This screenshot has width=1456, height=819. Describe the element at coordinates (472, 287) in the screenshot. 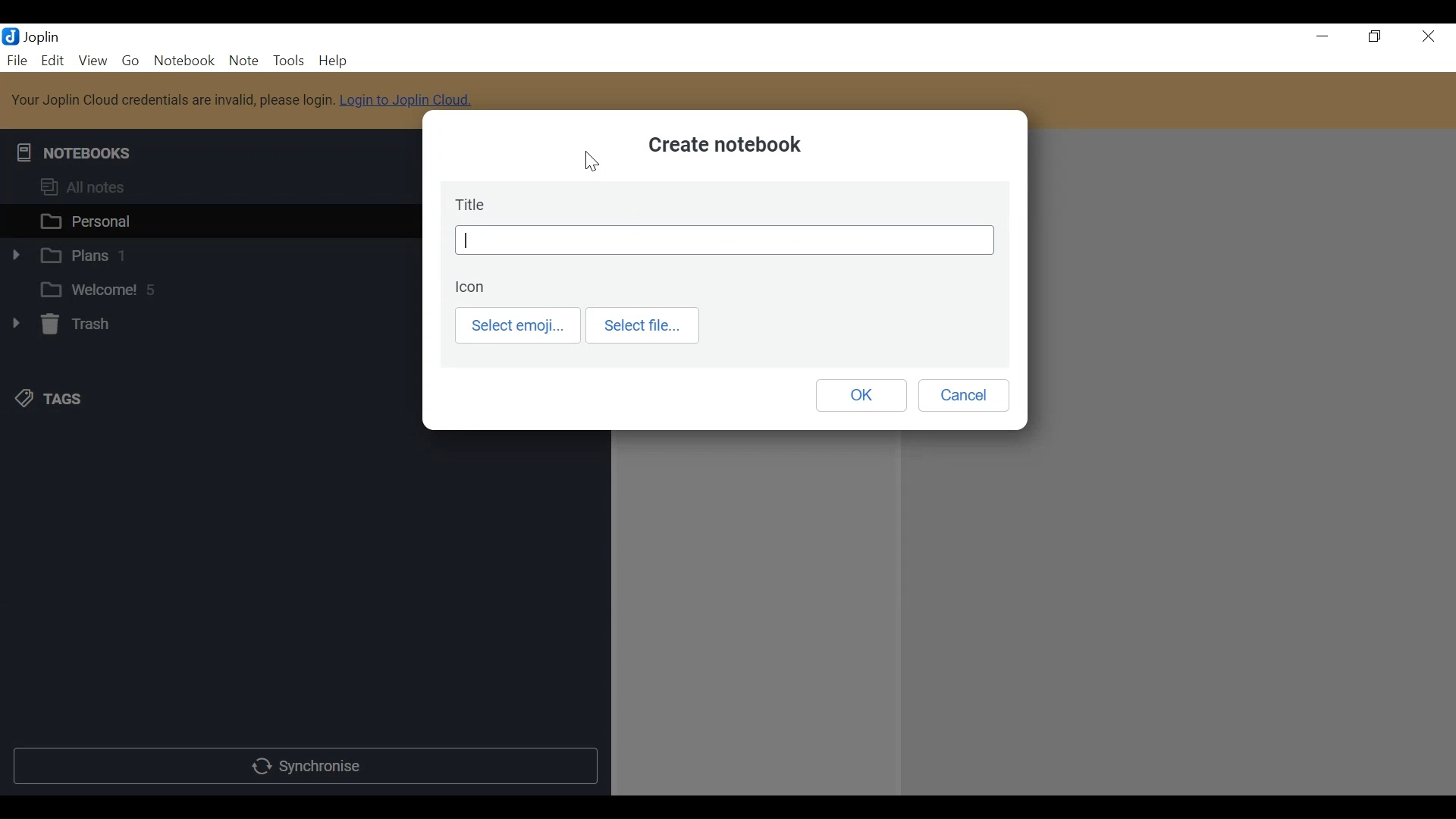

I see `Icon` at that location.